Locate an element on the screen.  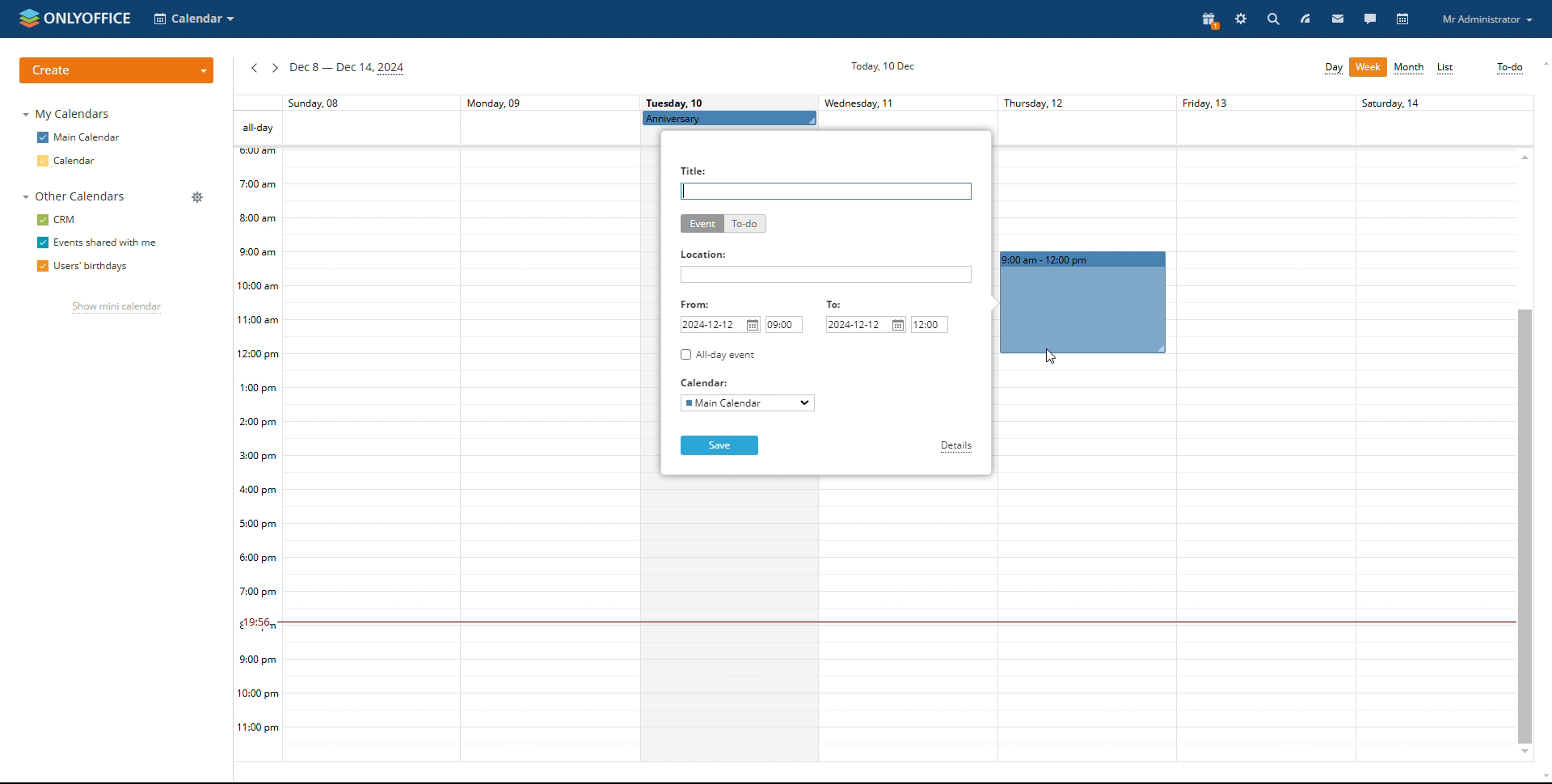
feed is located at coordinates (1305, 18).